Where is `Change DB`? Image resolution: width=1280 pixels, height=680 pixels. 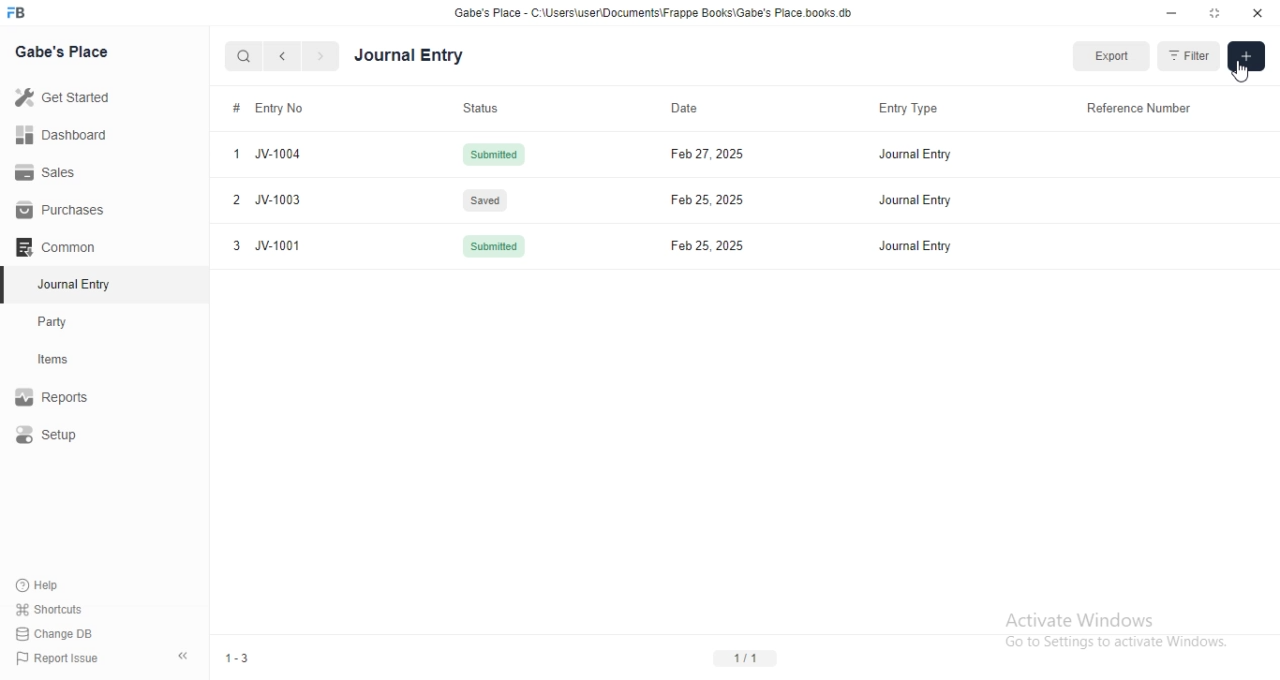 Change DB is located at coordinates (60, 633).